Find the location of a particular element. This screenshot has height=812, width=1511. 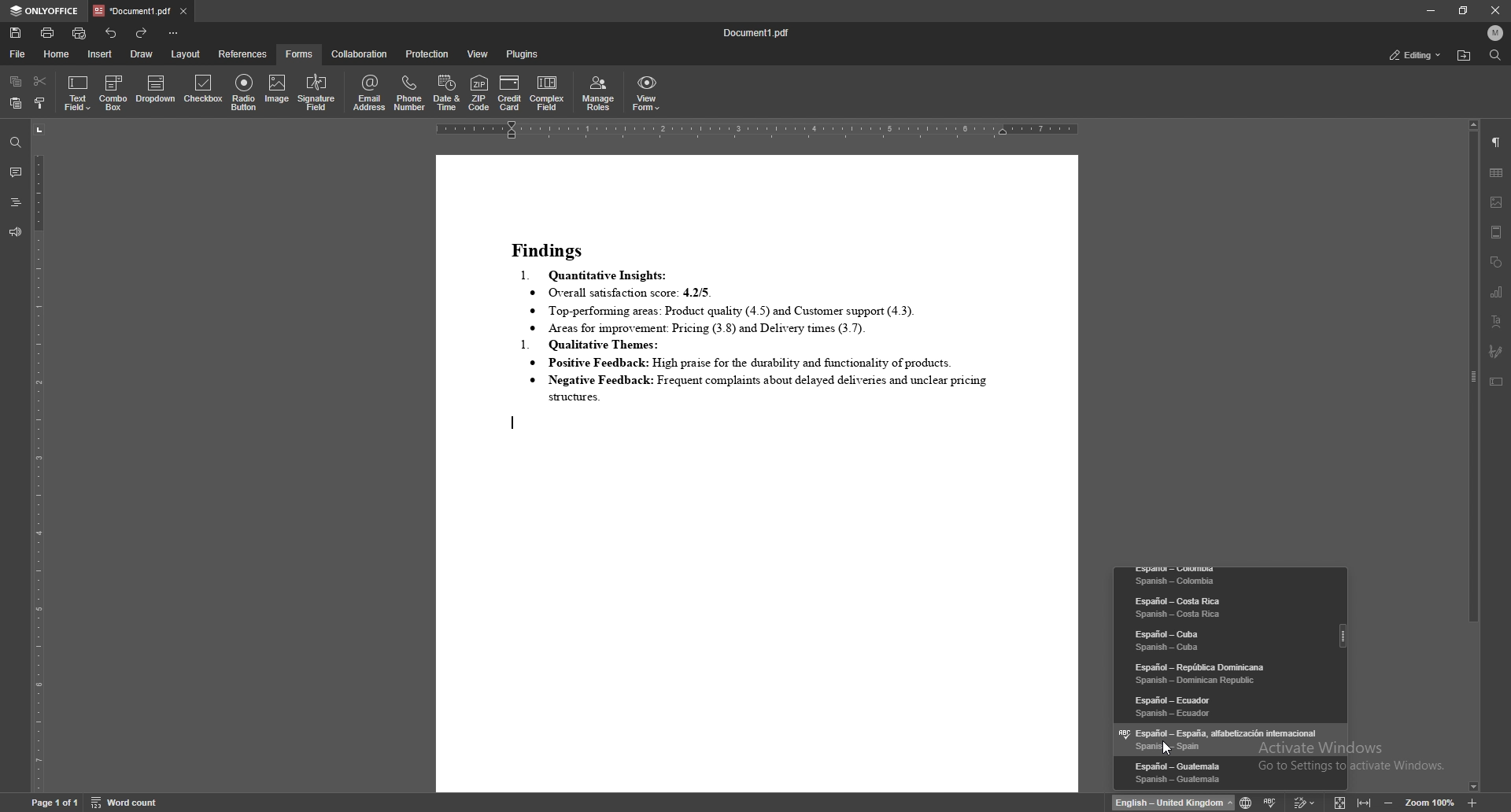

copy is located at coordinates (16, 81).